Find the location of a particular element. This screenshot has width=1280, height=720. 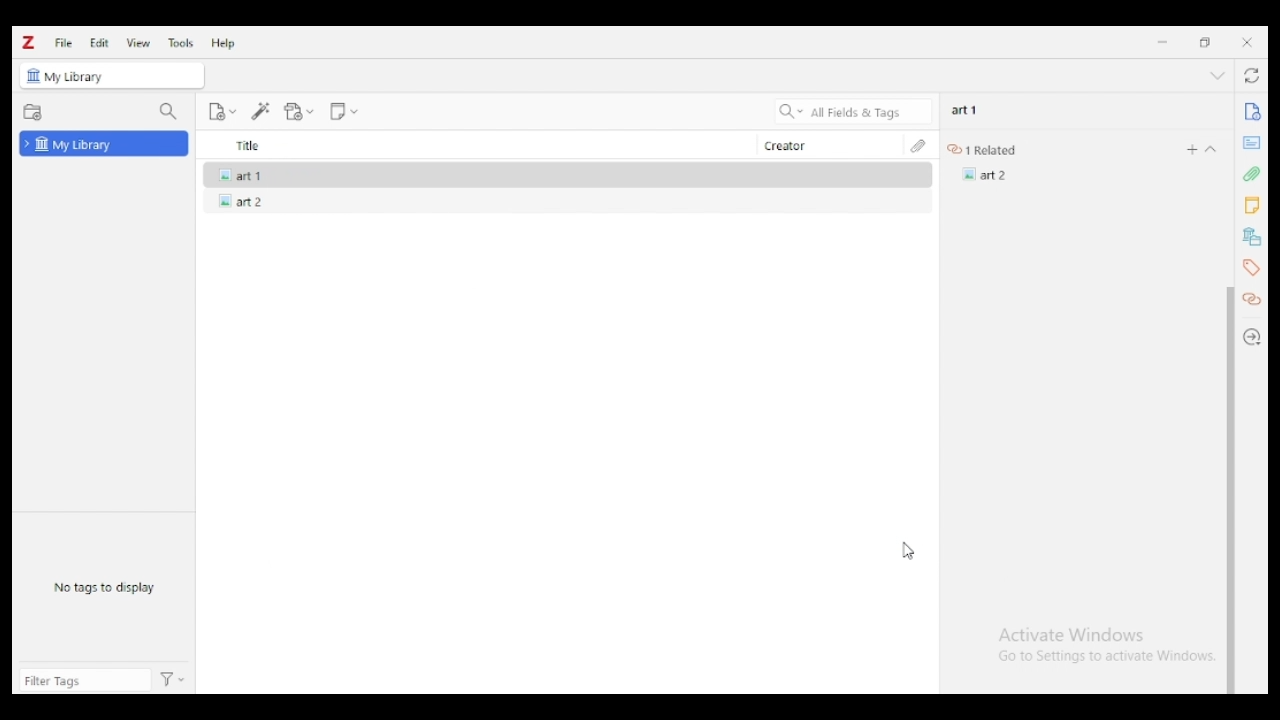

help is located at coordinates (224, 43).